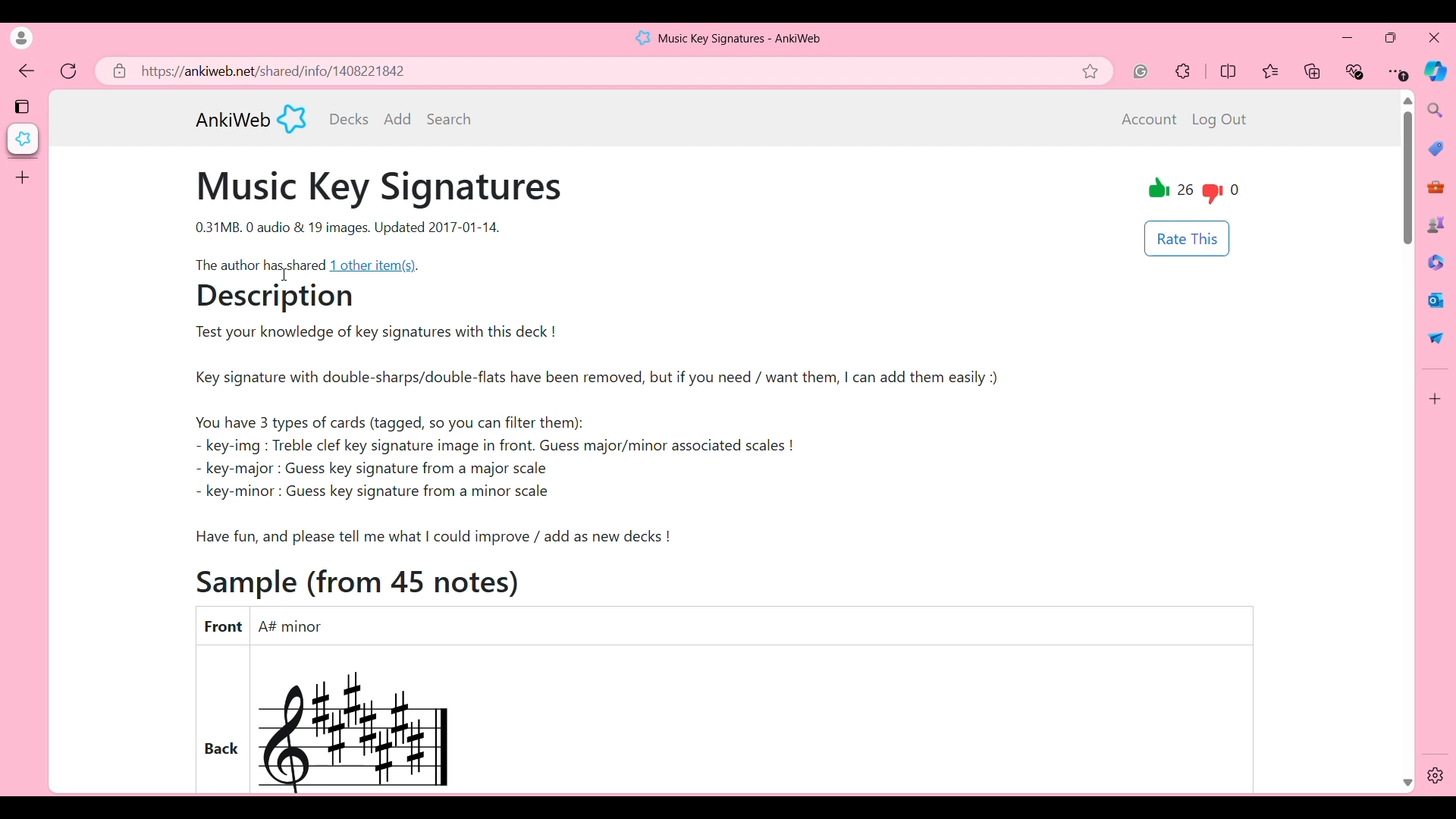 The height and width of the screenshot is (819, 1456). What do you see at coordinates (1407, 101) in the screenshot?
I see `Quick slide to top` at bounding box center [1407, 101].